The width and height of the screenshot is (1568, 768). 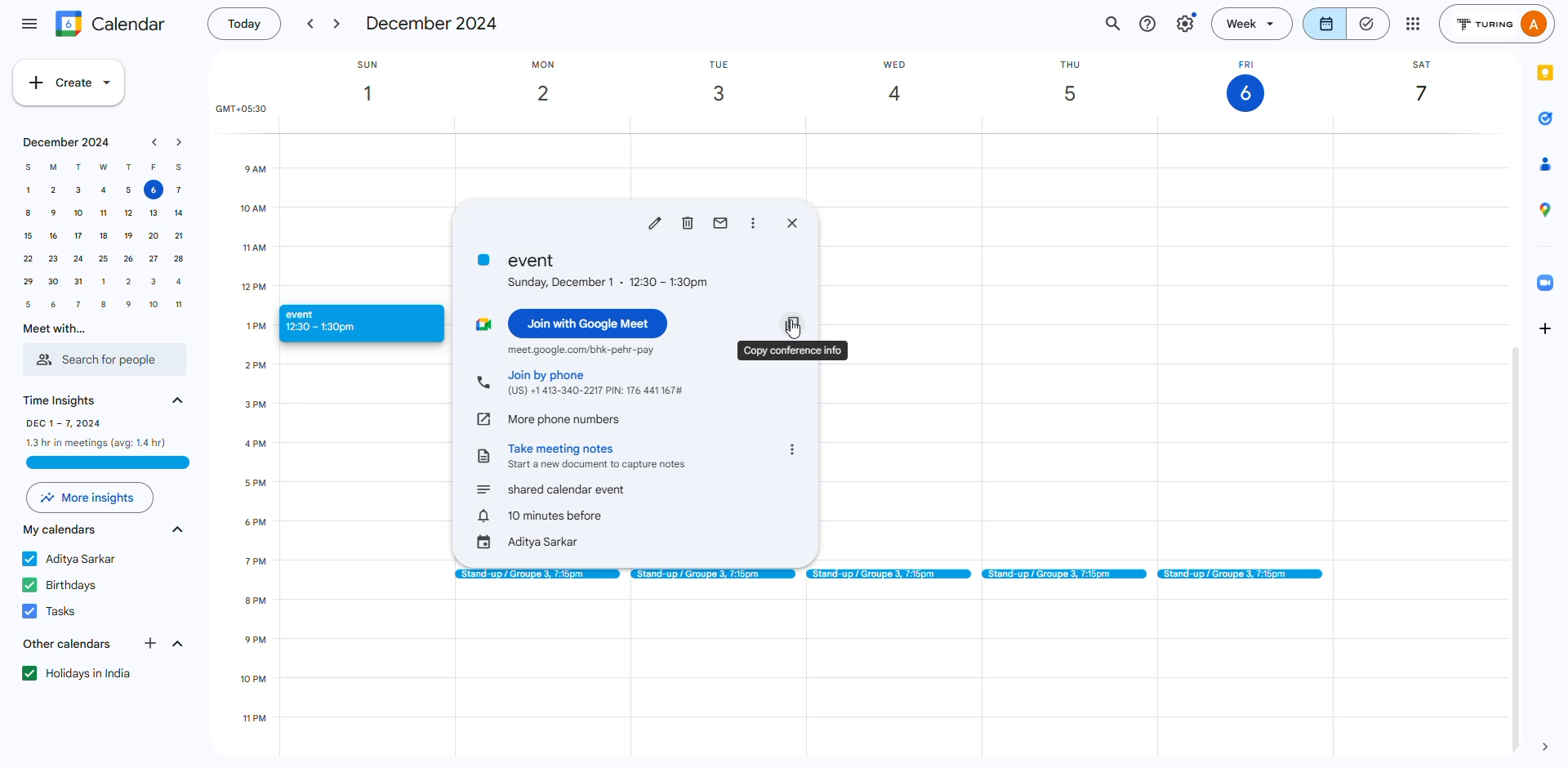 I want to click on scroll, so click(x=1514, y=549).